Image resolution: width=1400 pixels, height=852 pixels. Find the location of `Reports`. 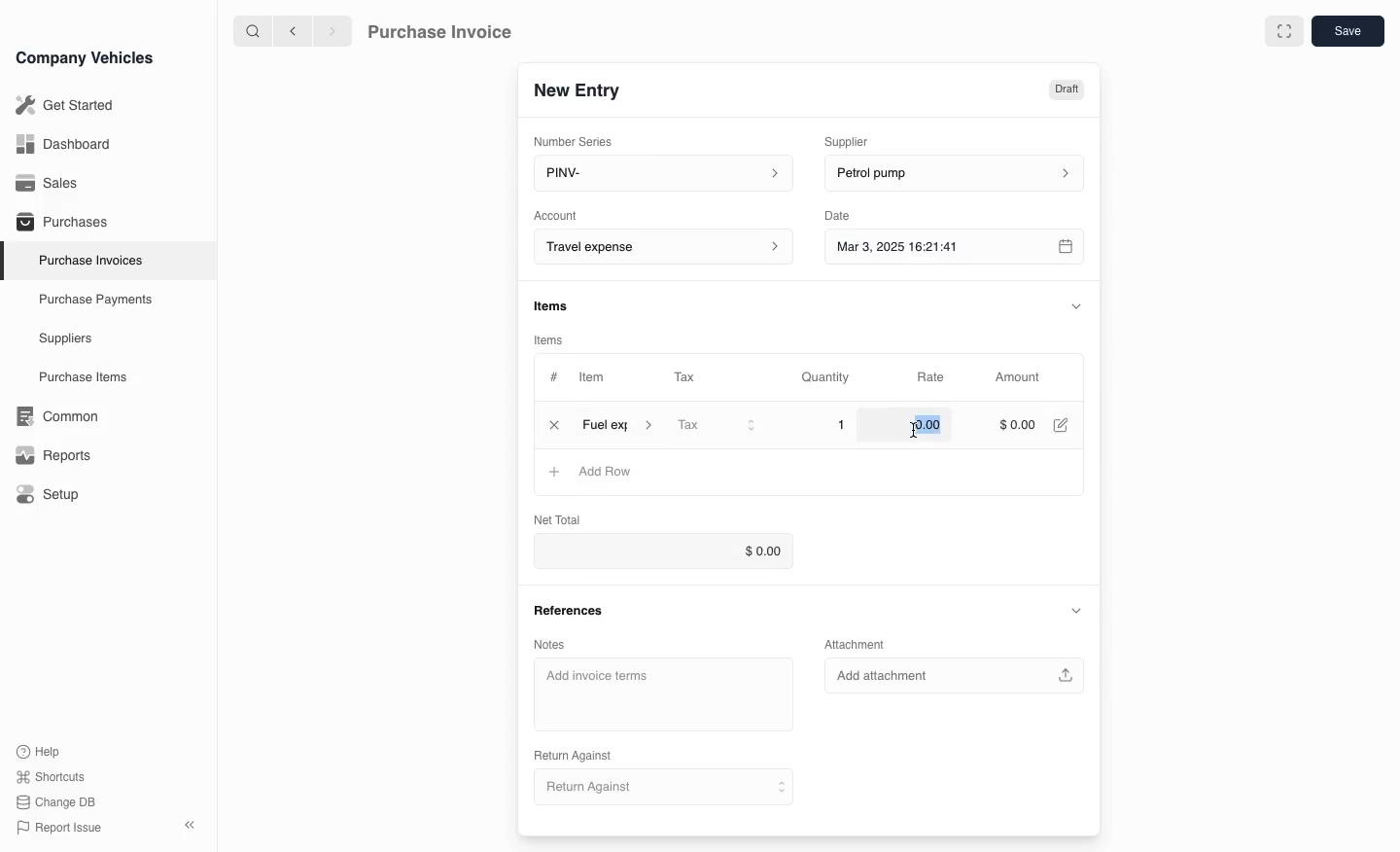

Reports is located at coordinates (53, 455).